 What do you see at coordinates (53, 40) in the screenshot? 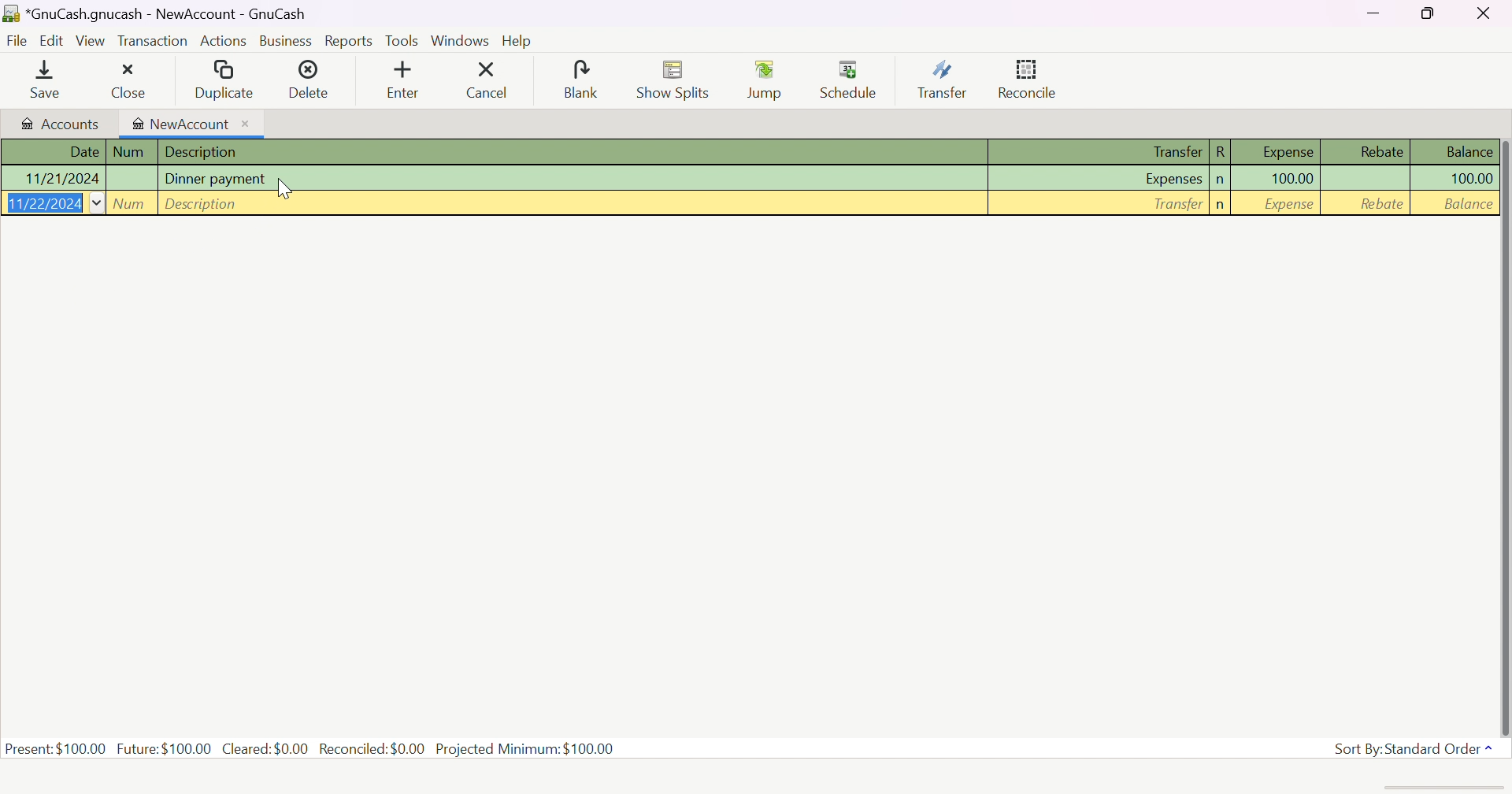
I see `Edit` at bounding box center [53, 40].